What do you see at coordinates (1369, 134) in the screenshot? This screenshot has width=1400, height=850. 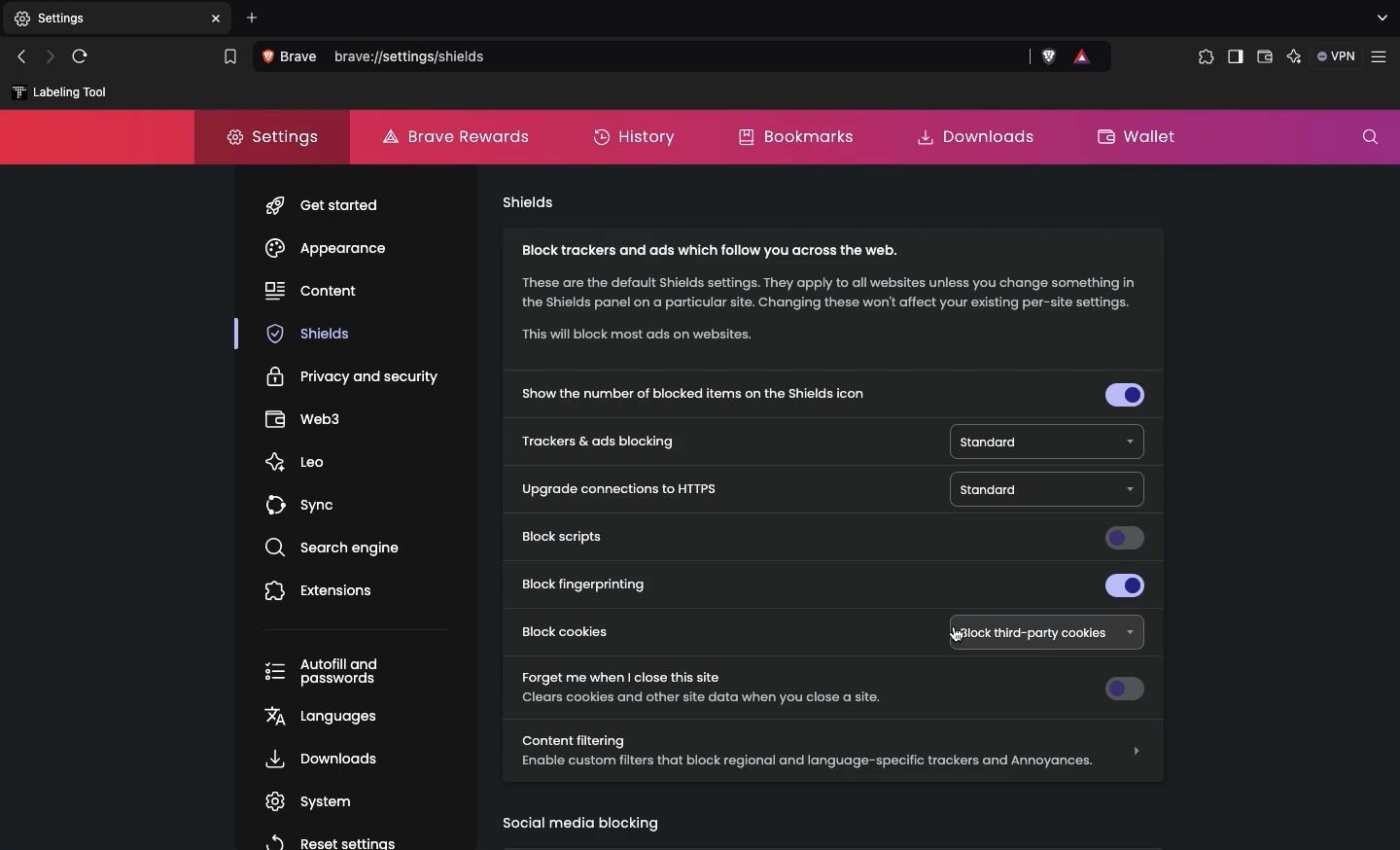 I see `Search settings` at bounding box center [1369, 134].